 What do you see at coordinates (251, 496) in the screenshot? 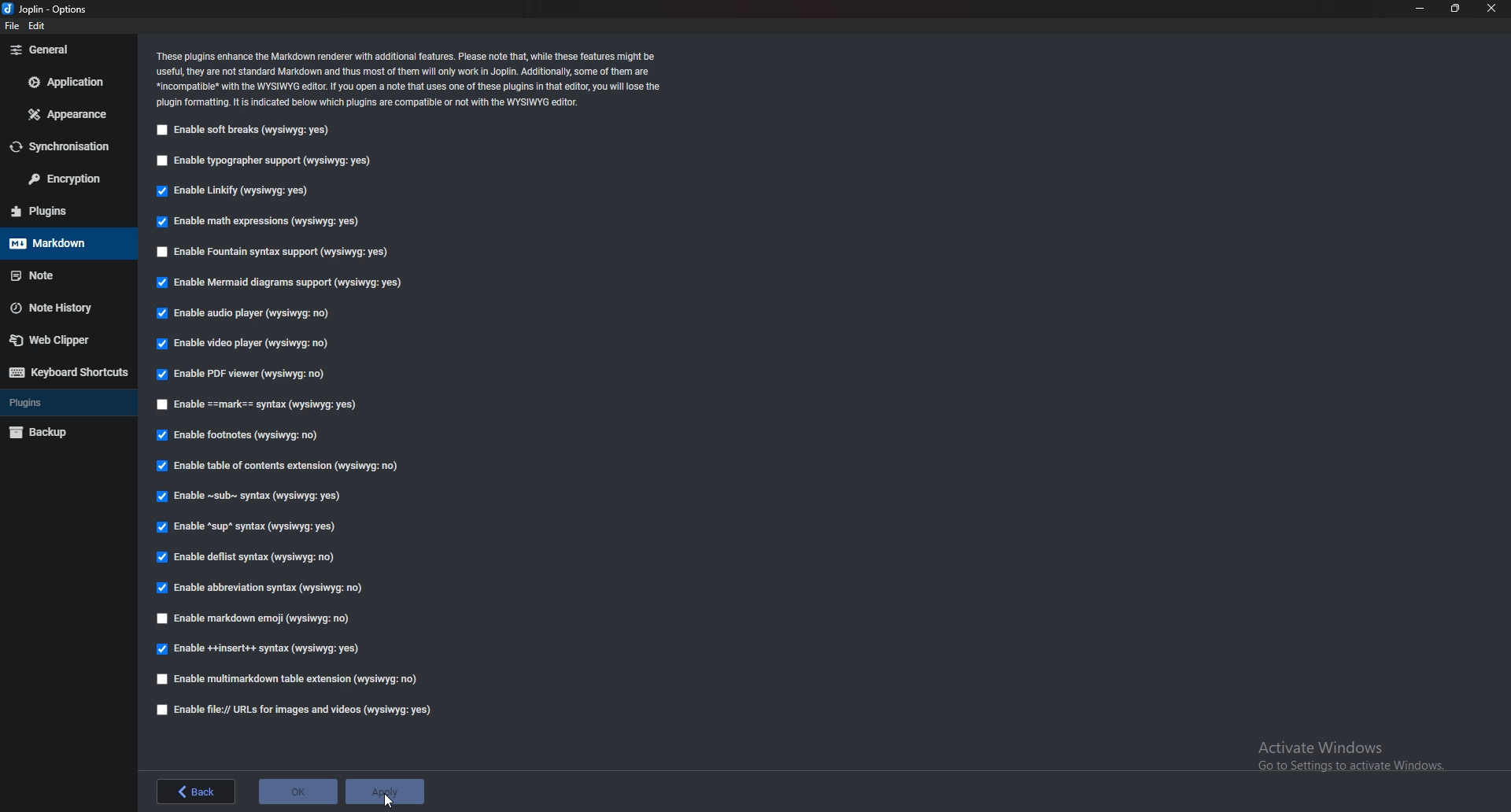
I see `Enable sub syntax` at bounding box center [251, 496].